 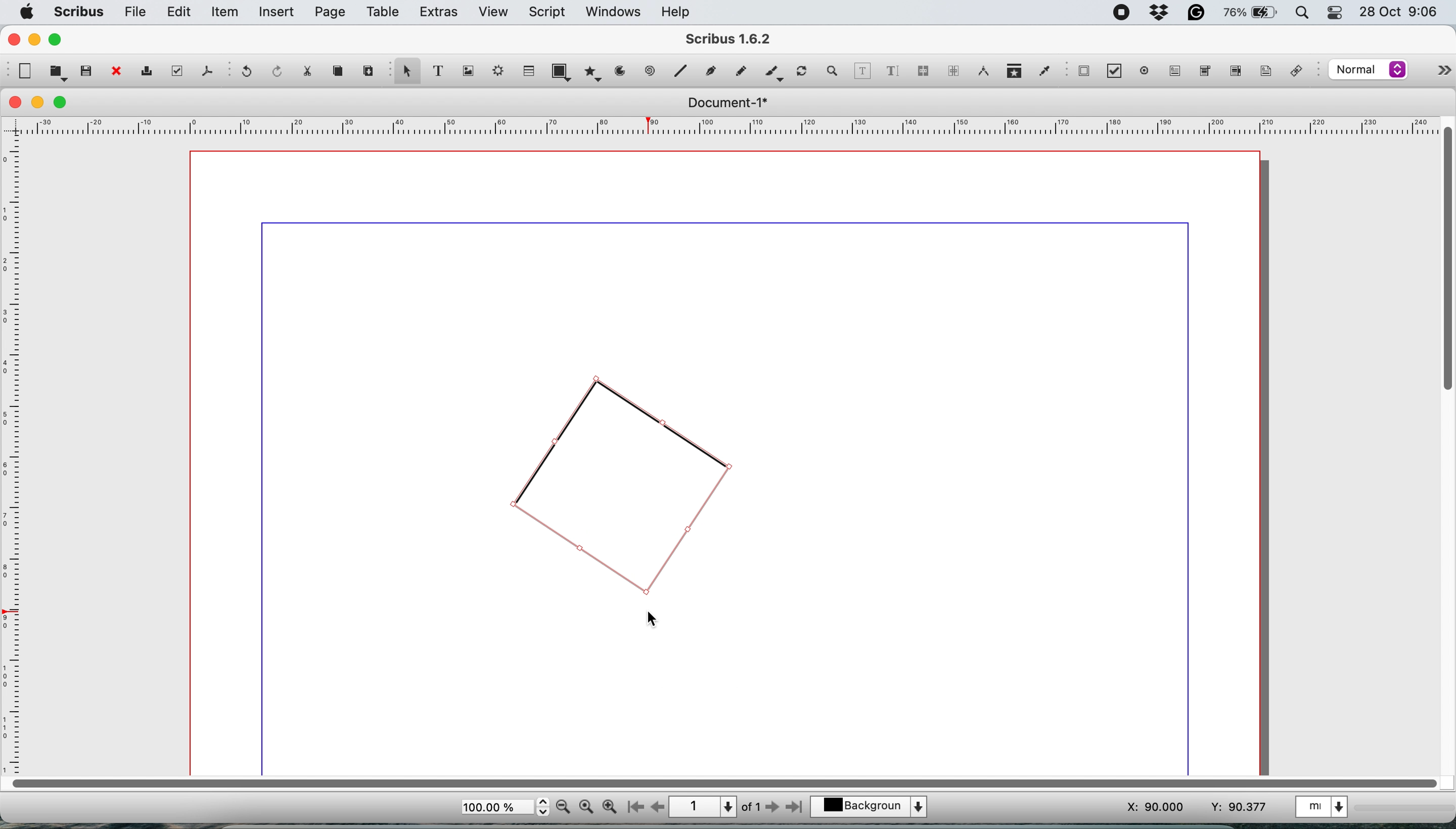 What do you see at coordinates (384, 14) in the screenshot?
I see `table` at bounding box center [384, 14].